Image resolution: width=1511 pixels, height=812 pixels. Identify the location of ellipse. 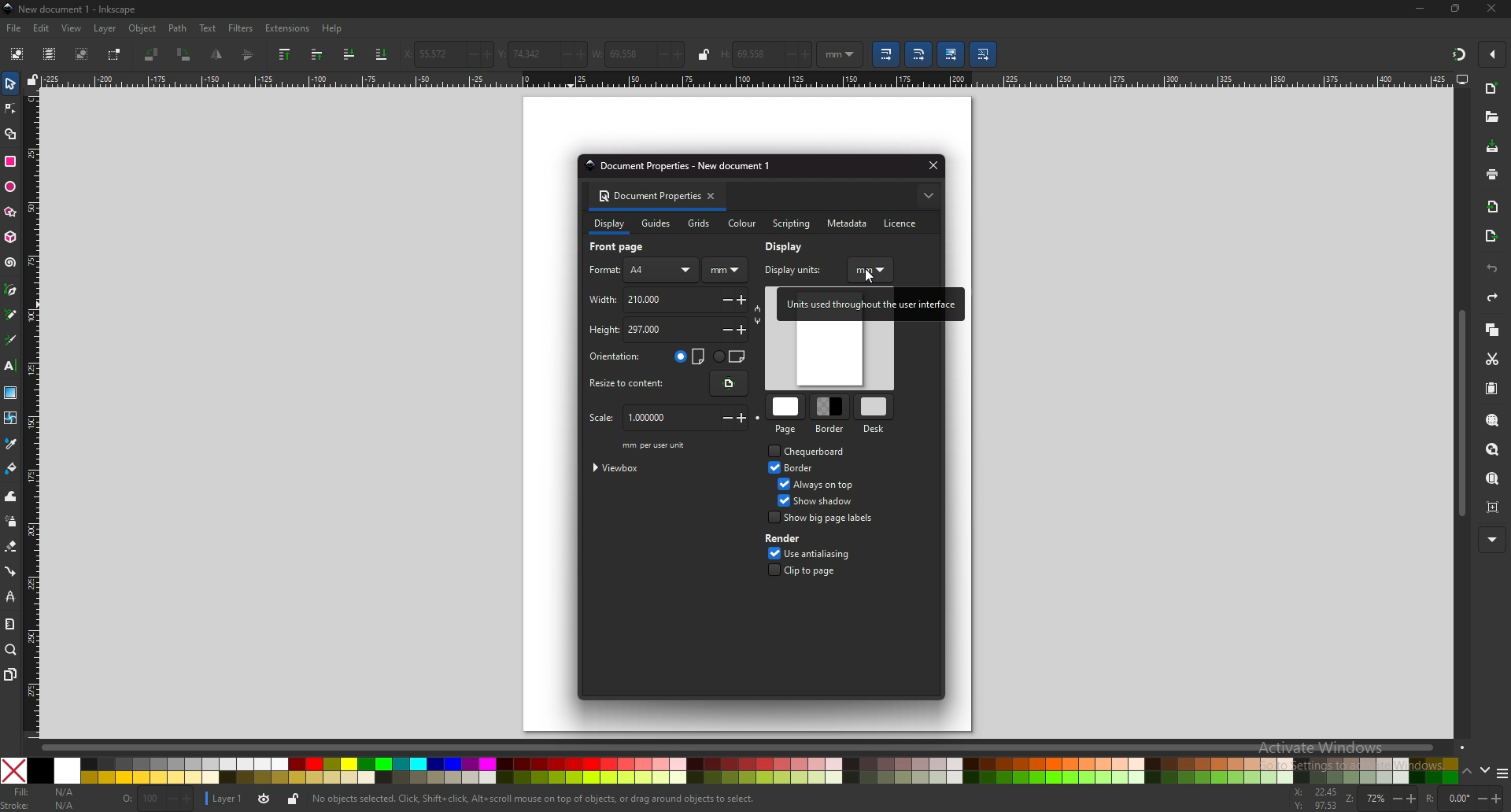
(10, 186).